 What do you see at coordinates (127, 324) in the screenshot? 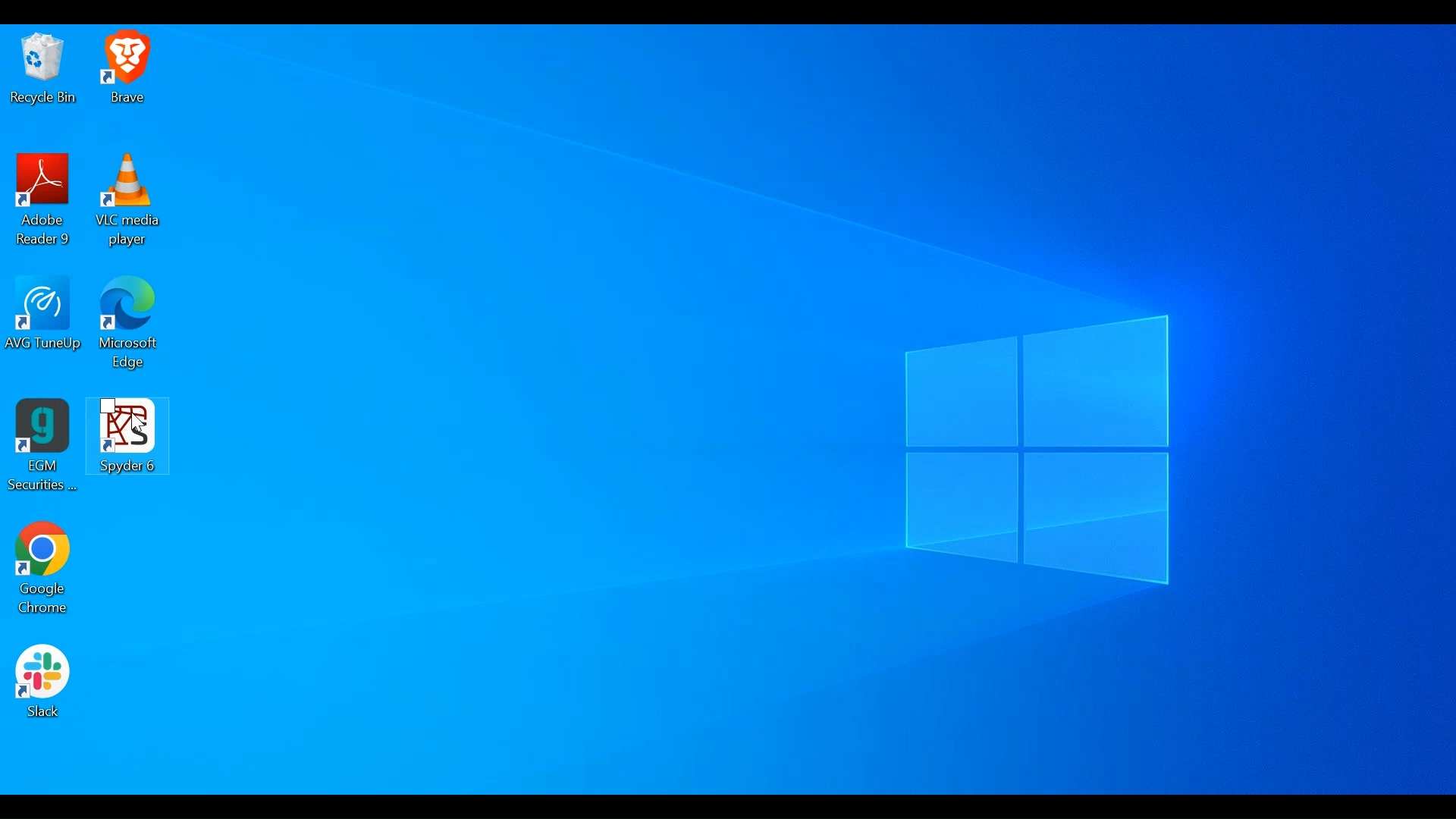
I see `Microsoft Edge Desktop Icon` at bounding box center [127, 324].